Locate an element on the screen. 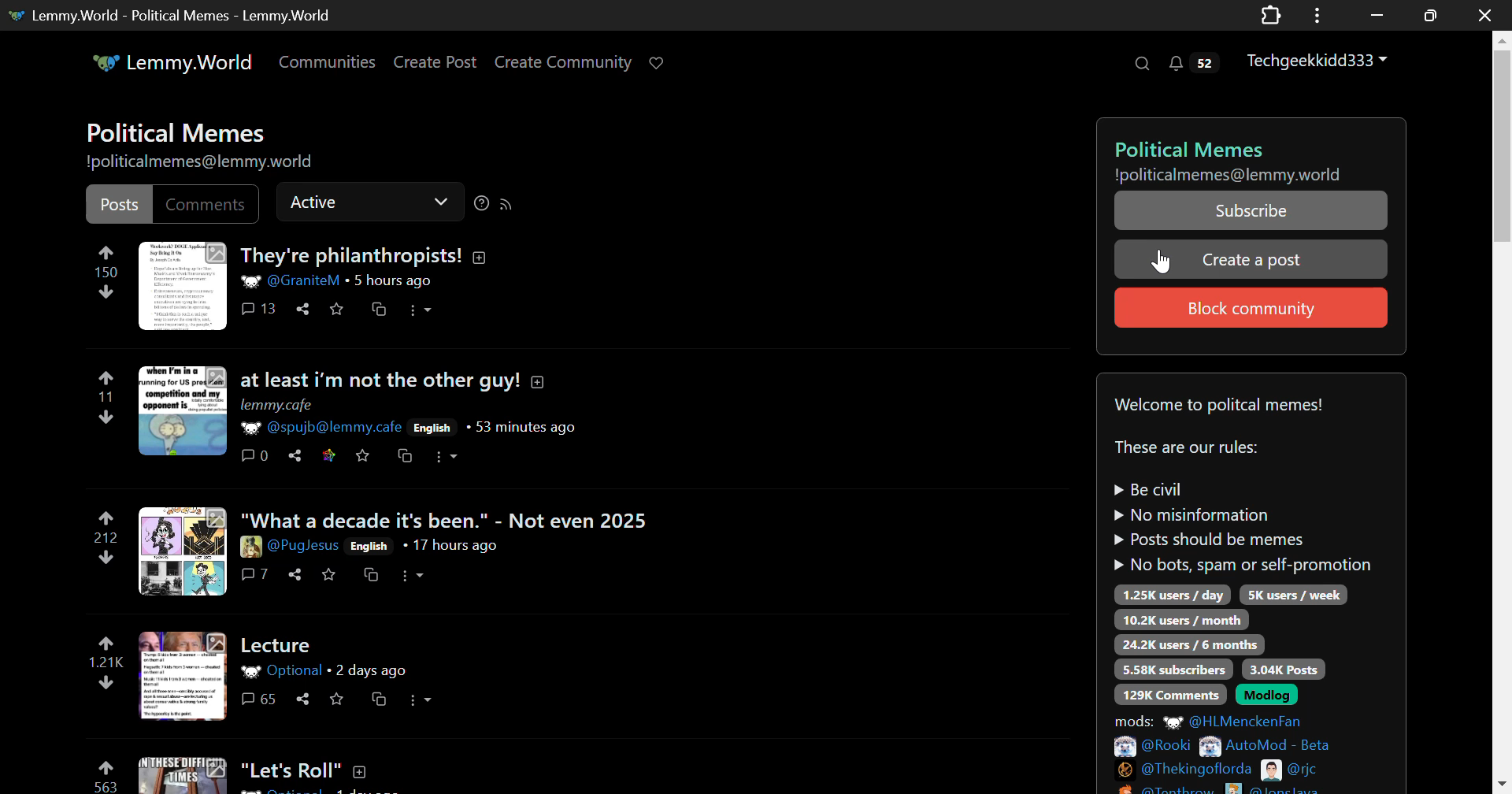 This screenshot has height=794, width=1512. Share is located at coordinates (303, 309).